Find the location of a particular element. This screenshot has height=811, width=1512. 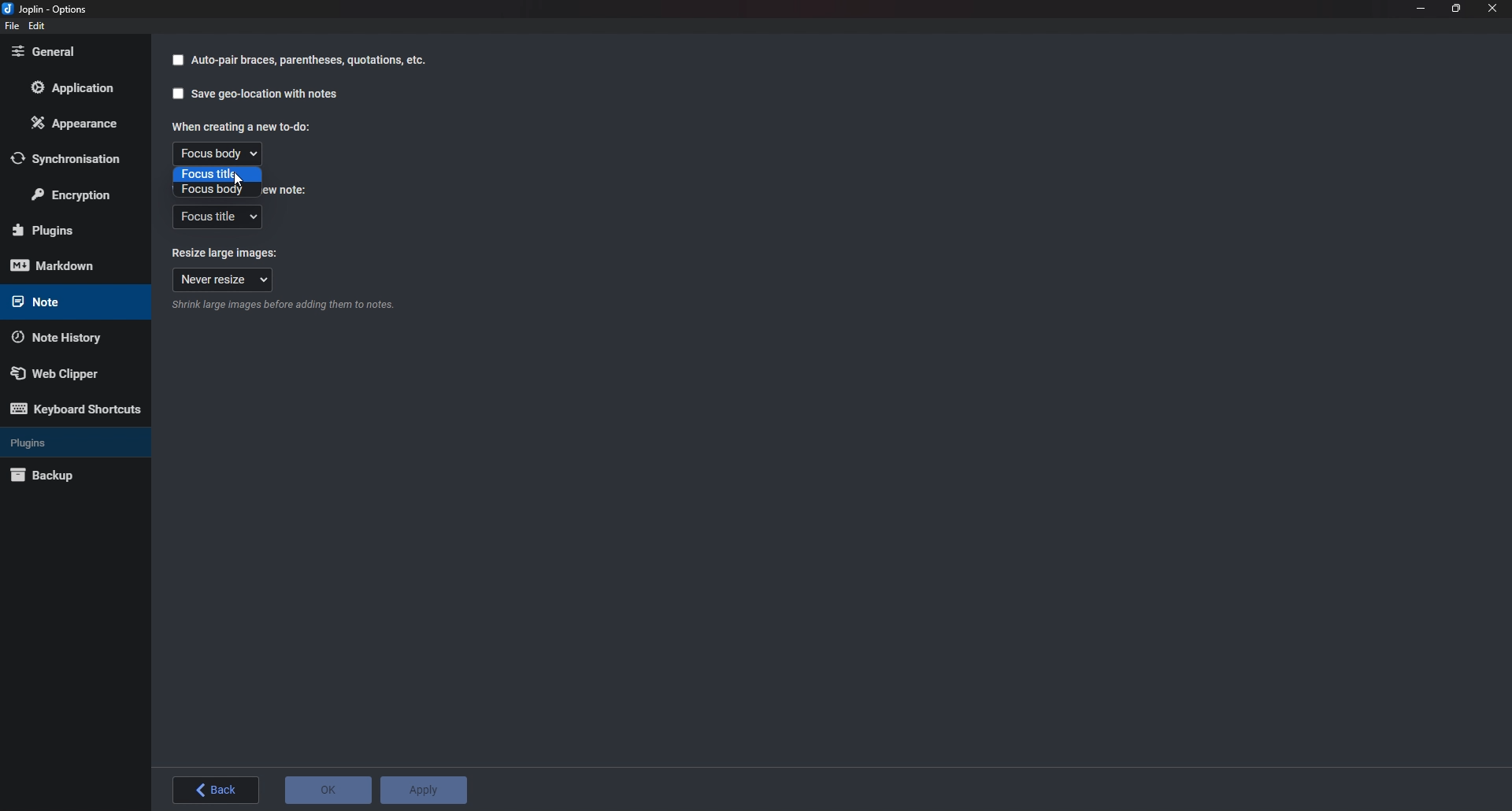

back is located at coordinates (218, 790).